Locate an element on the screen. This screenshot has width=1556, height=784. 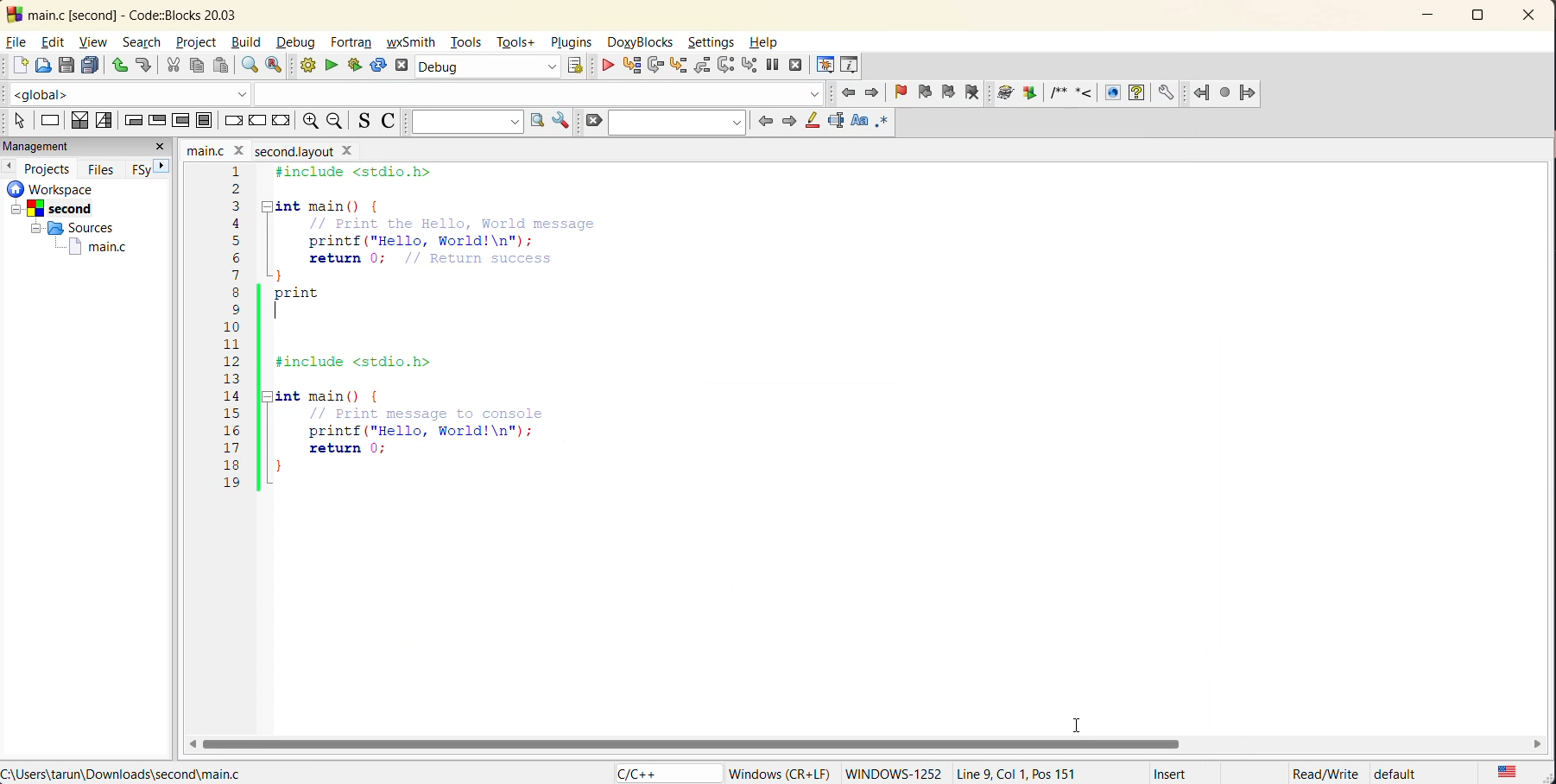
build is located at coordinates (312, 68).